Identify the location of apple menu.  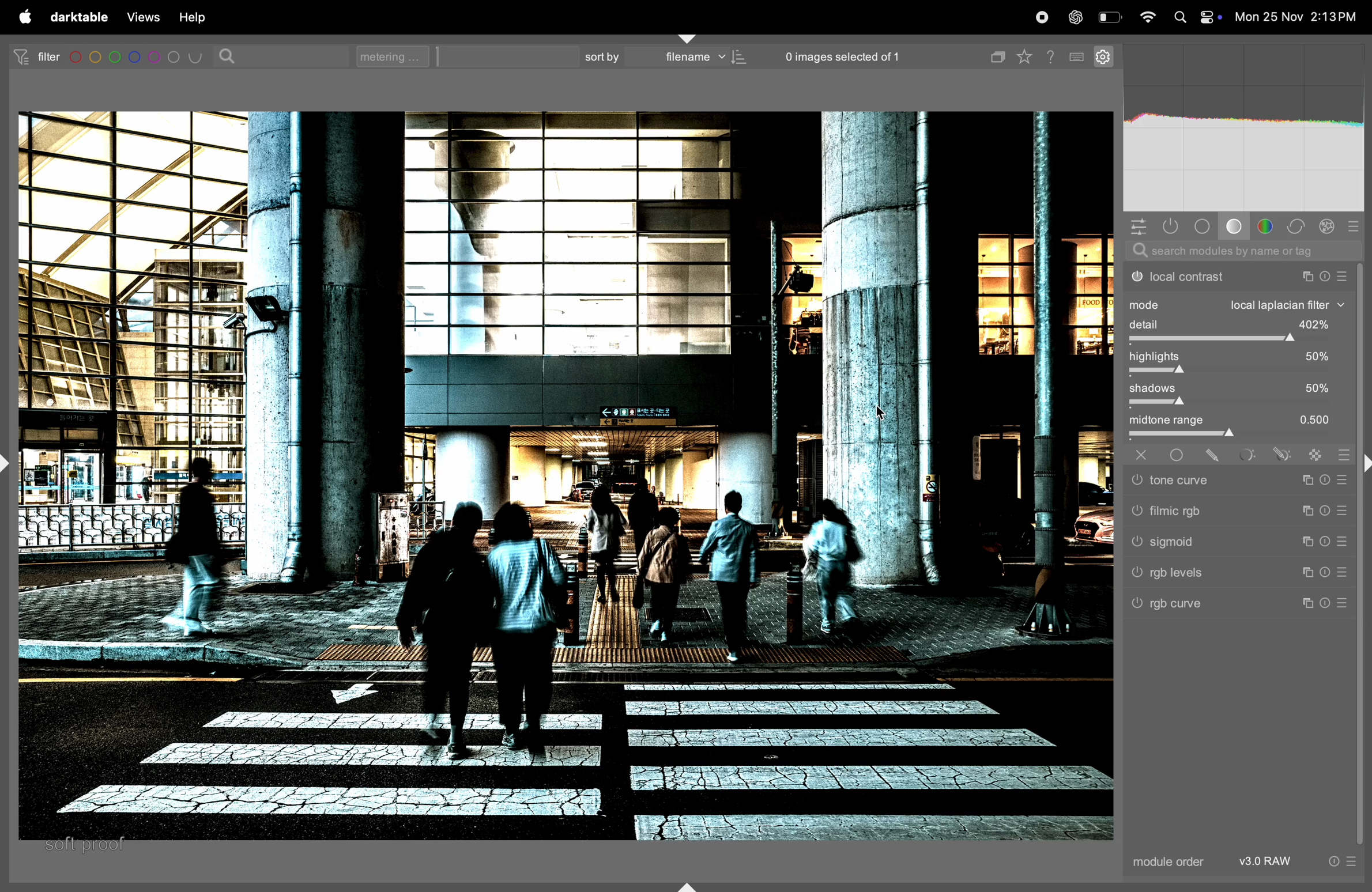
(22, 17).